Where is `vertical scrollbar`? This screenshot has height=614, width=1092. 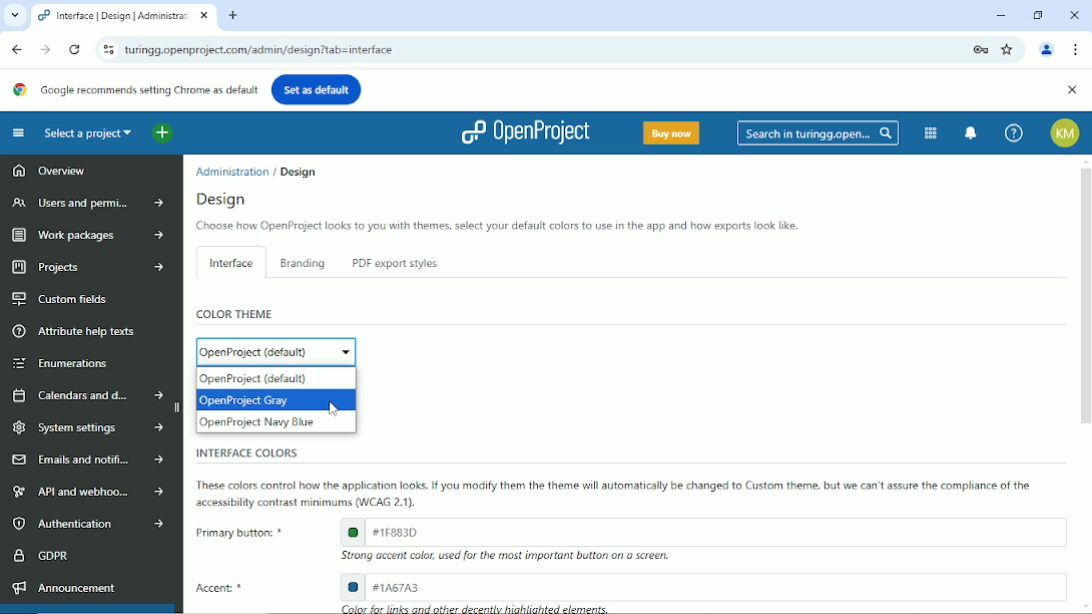
vertical scrollbar is located at coordinates (1085, 296).